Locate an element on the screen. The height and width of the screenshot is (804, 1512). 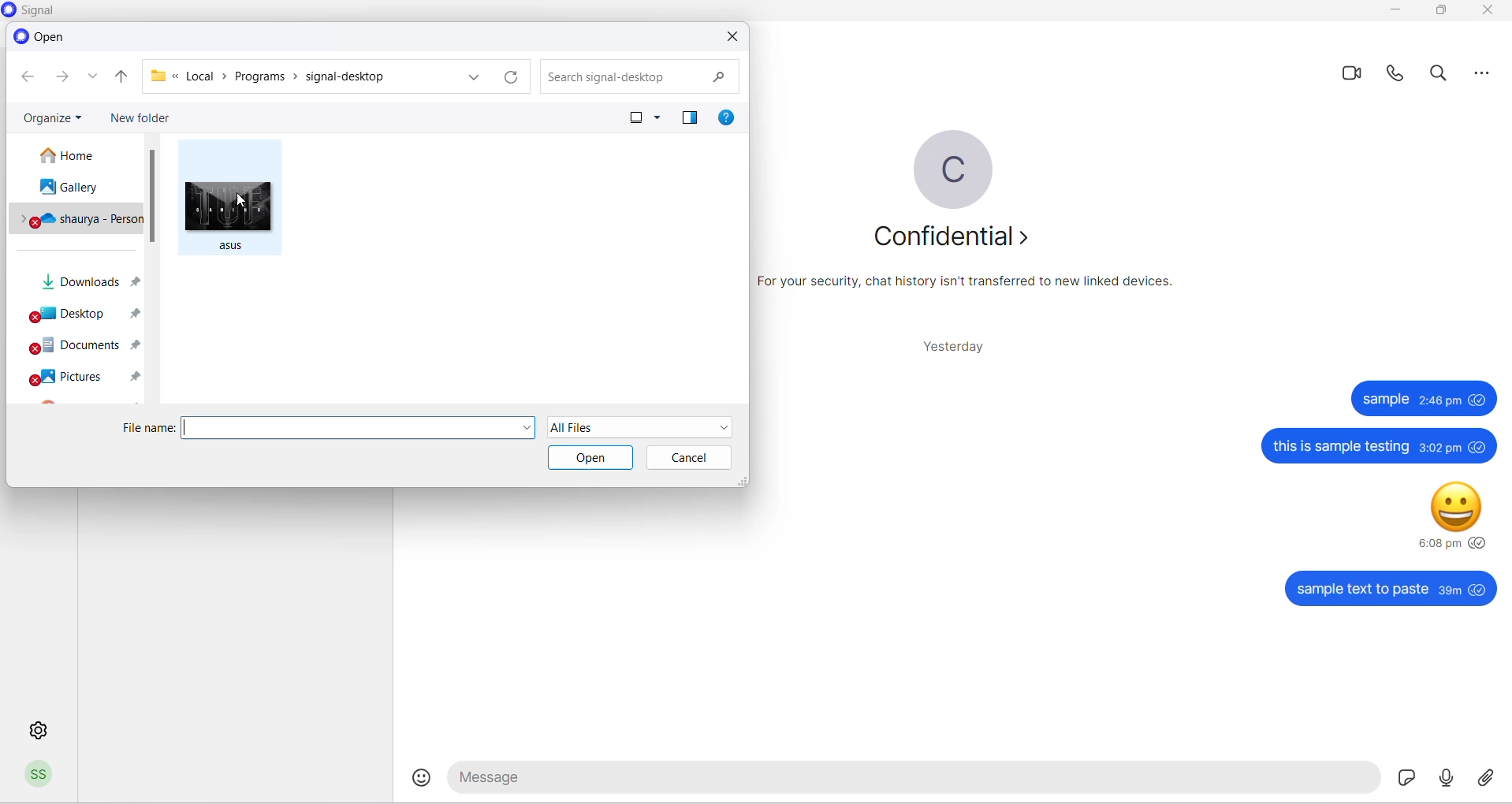
seen is located at coordinates (1479, 446).